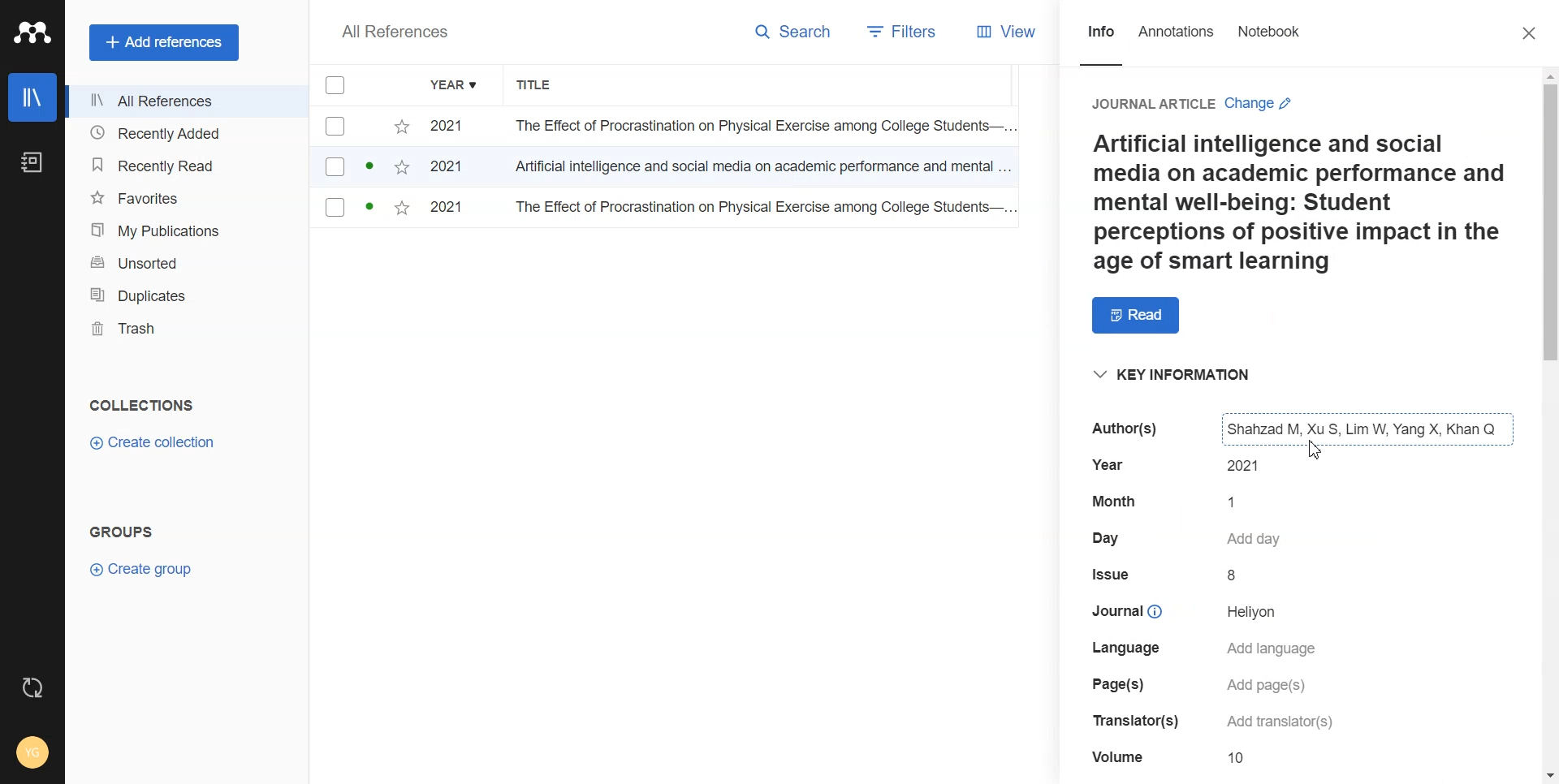 Image resolution: width=1559 pixels, height=784 pixels. Describe the element at coordinates (797, 32) in the screenshot. I see `Search` at that location.